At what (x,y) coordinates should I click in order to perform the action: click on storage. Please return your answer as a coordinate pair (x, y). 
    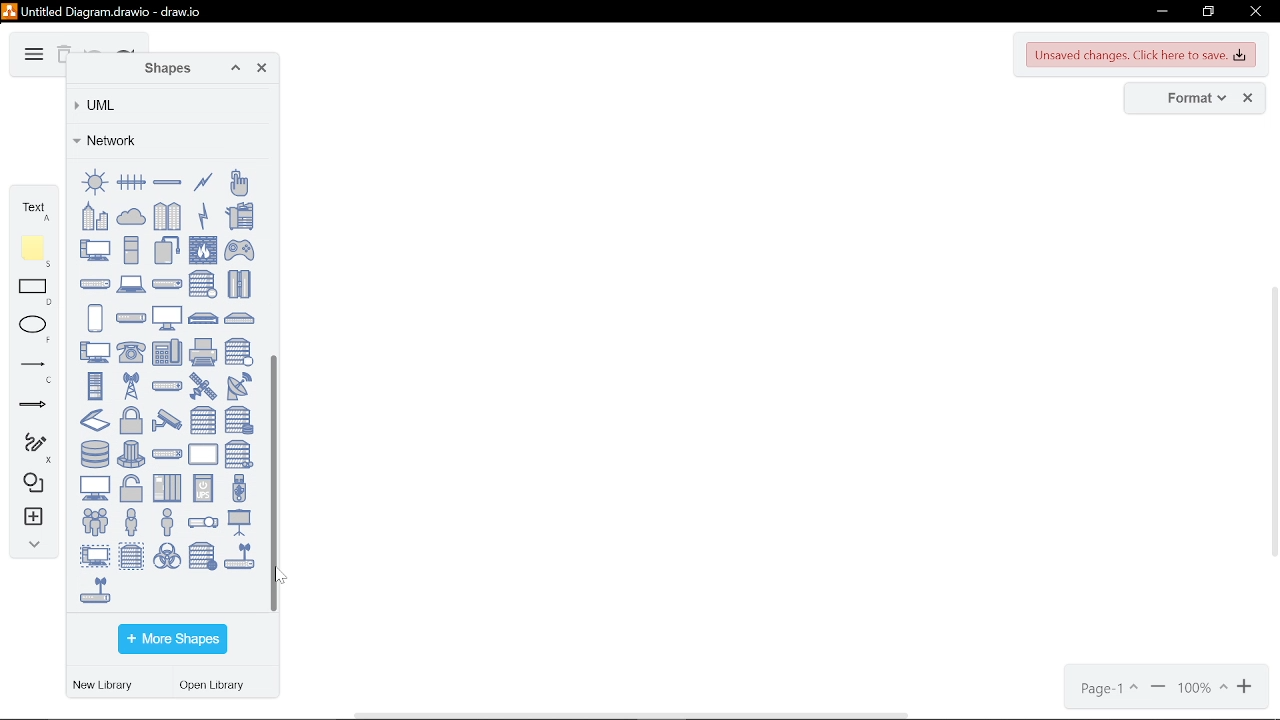
    Looking at the image, I should click on (95, 454).